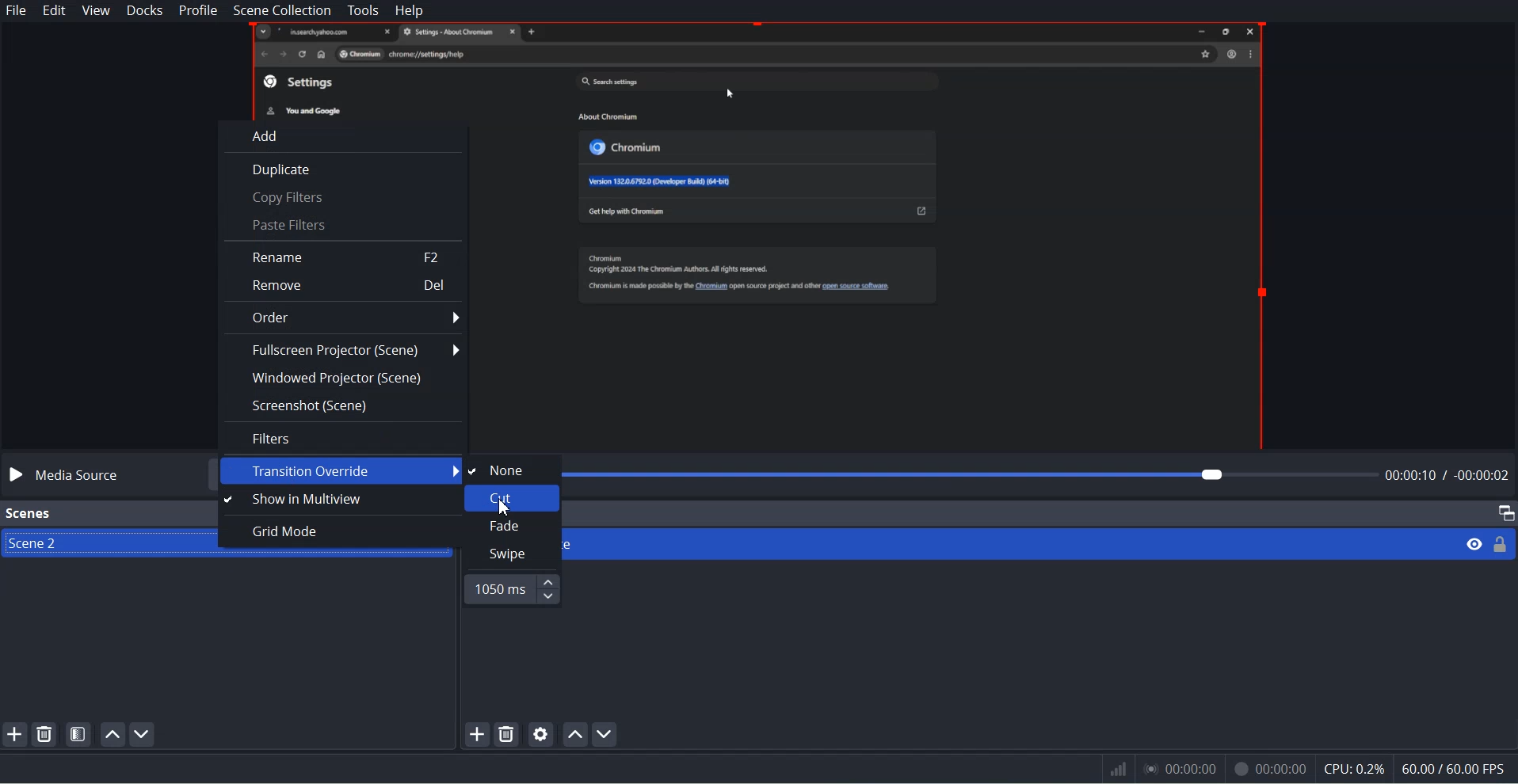 This screenshot has width=1518, height=784. What do you see at coordinates (1013, 543) in the screenshot?
I see `Media Source` at bounding box center [1013, 543].